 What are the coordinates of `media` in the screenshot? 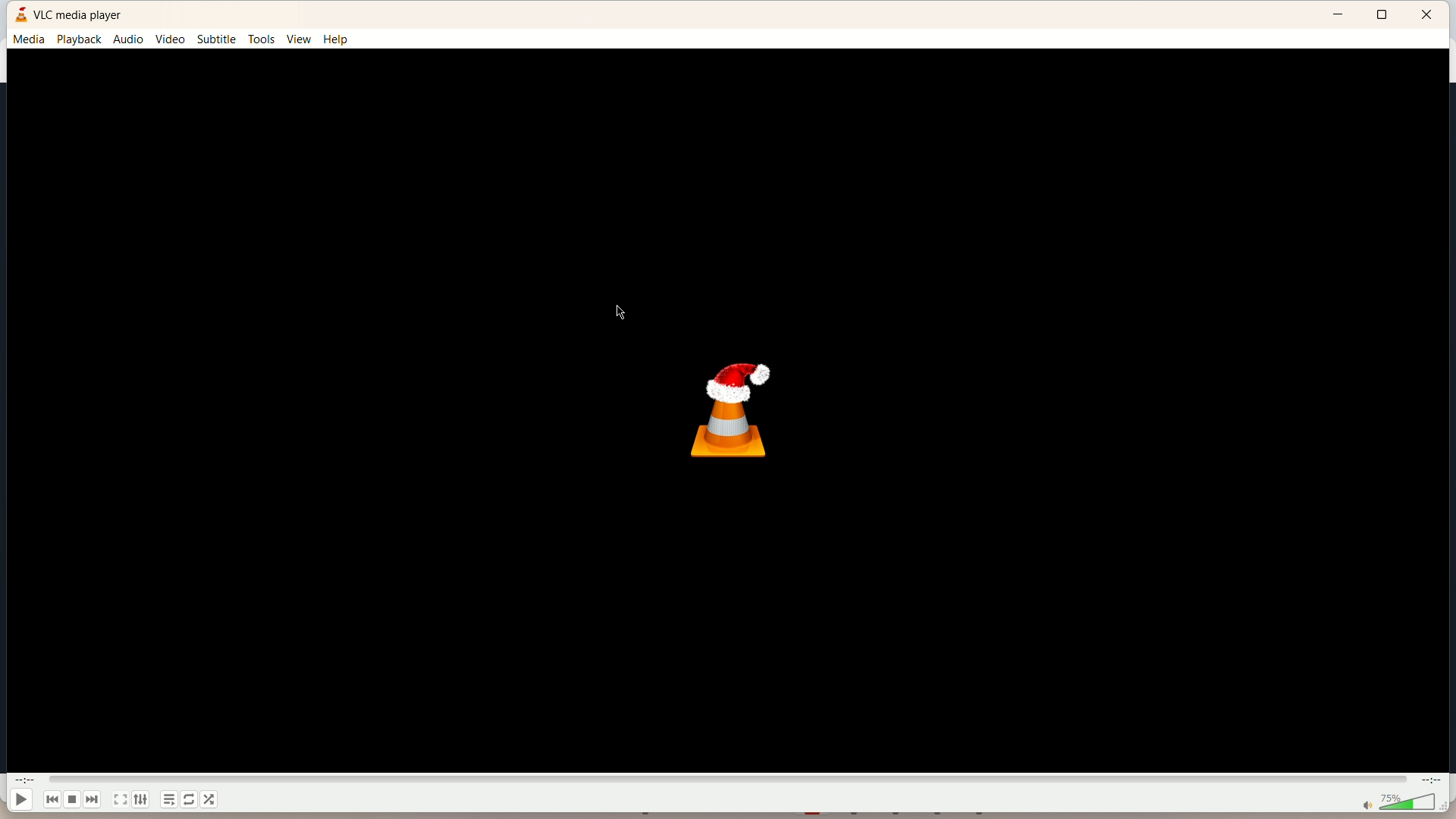 It's located at (30, 39).